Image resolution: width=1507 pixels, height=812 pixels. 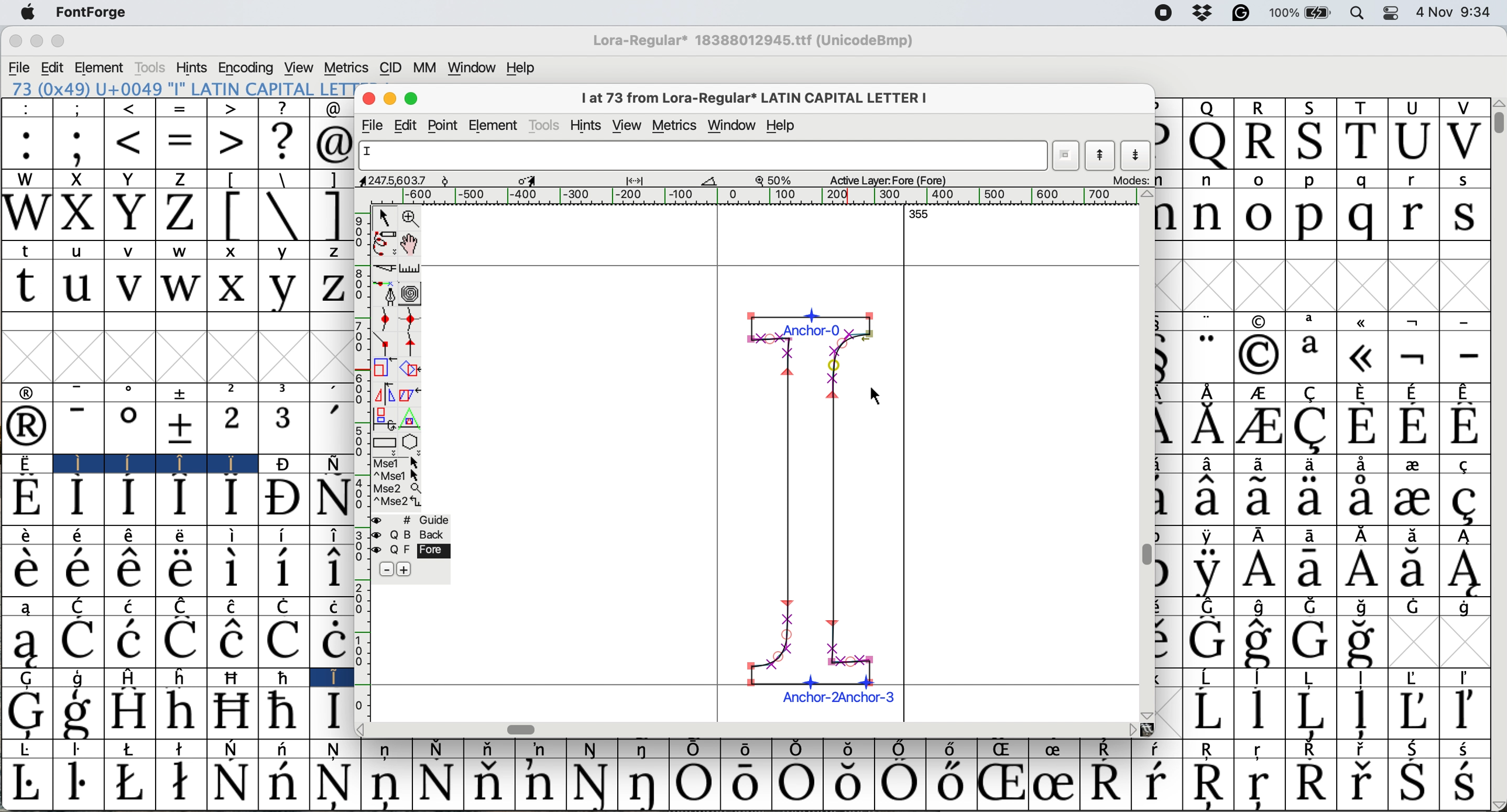 I want to click on tangent point, so click(x=412, y=345).